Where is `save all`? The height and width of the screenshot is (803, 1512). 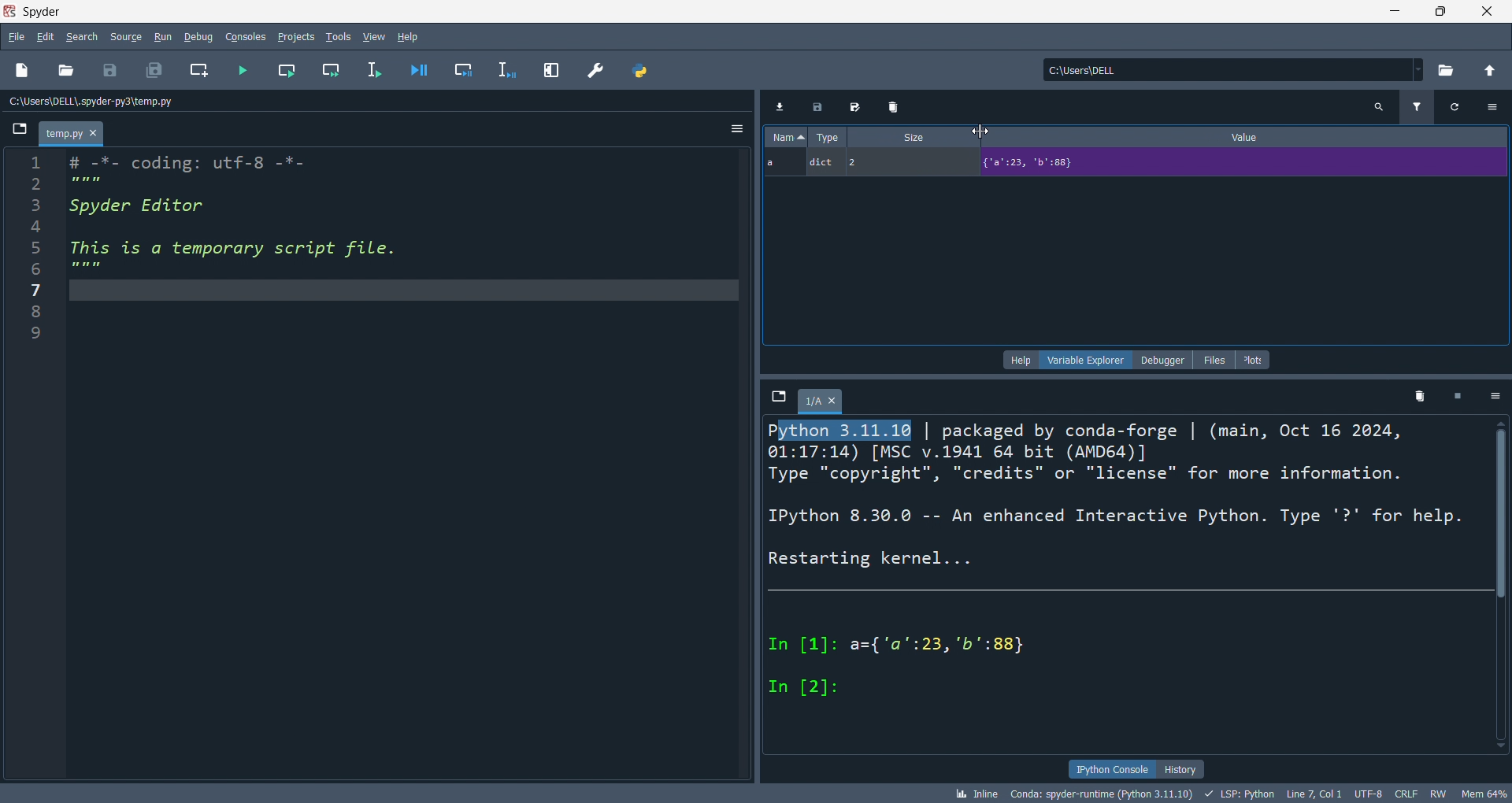
save all is located at coordinates (154, 67).